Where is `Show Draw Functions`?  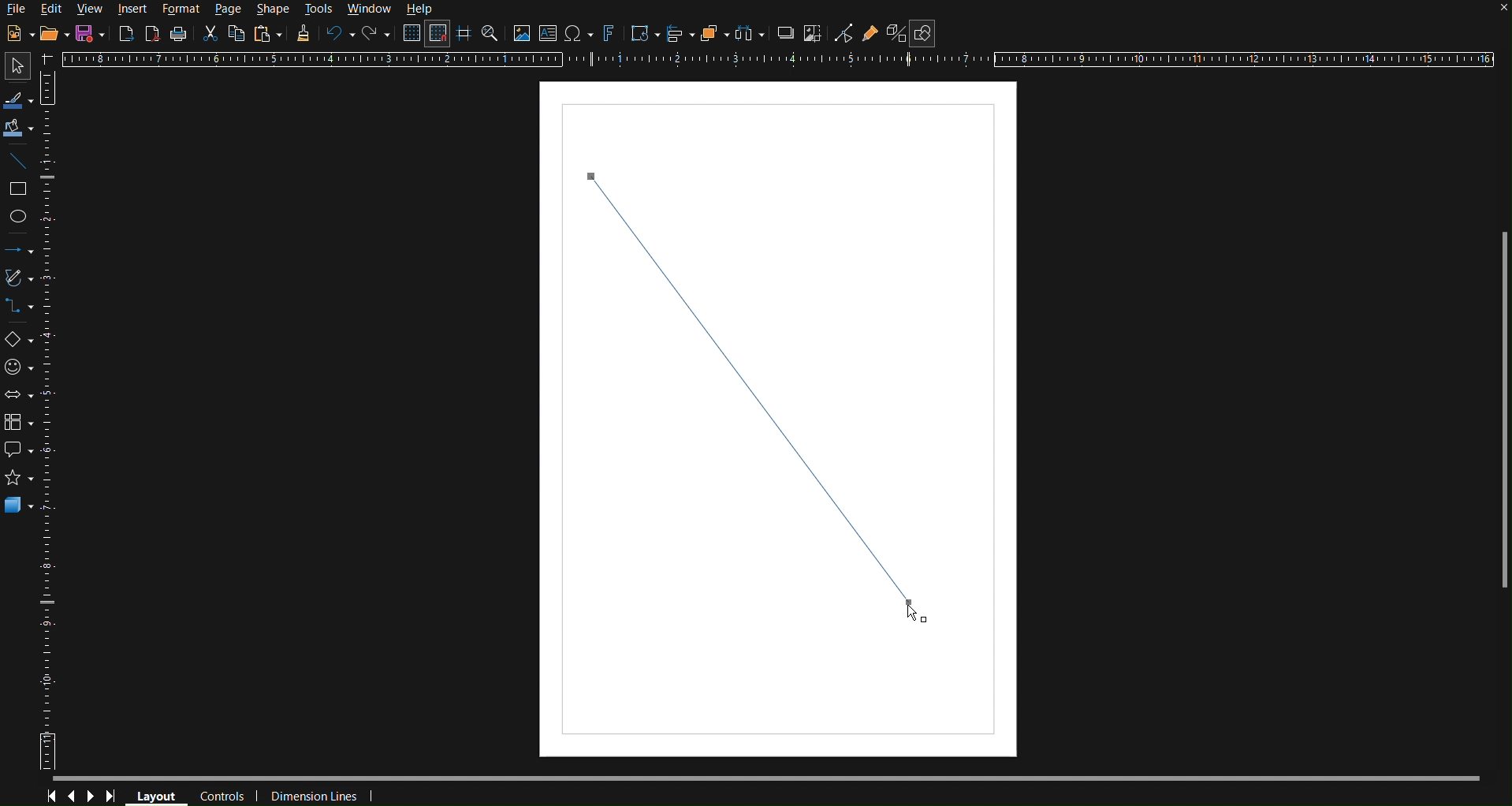
Show Draw Functions is located at coordinates (923, 33).